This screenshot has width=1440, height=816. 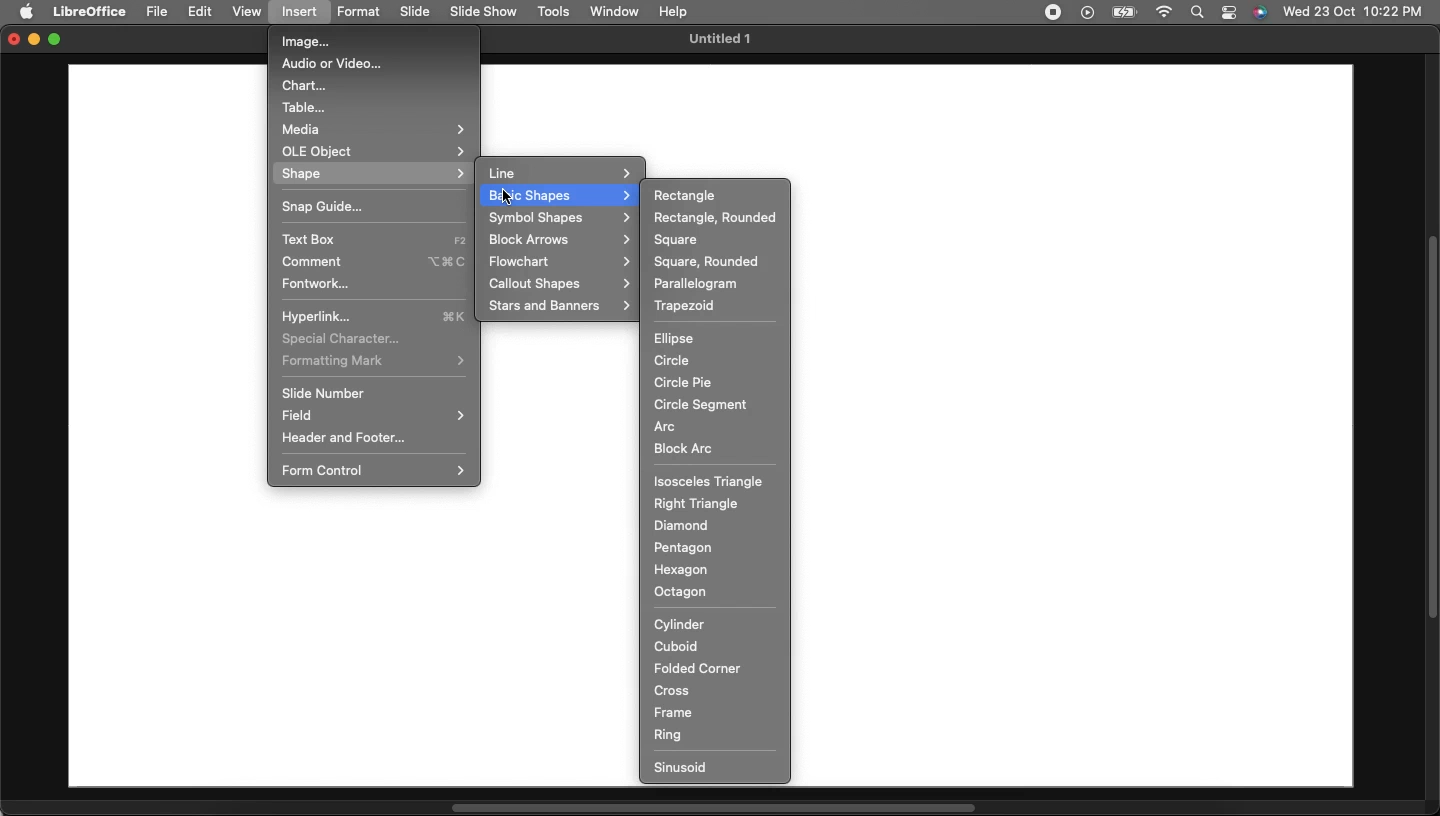 What do you see at coordinates (377, 150) in the screenshot?
I see `OLE object` at bounding box center [377, 150].